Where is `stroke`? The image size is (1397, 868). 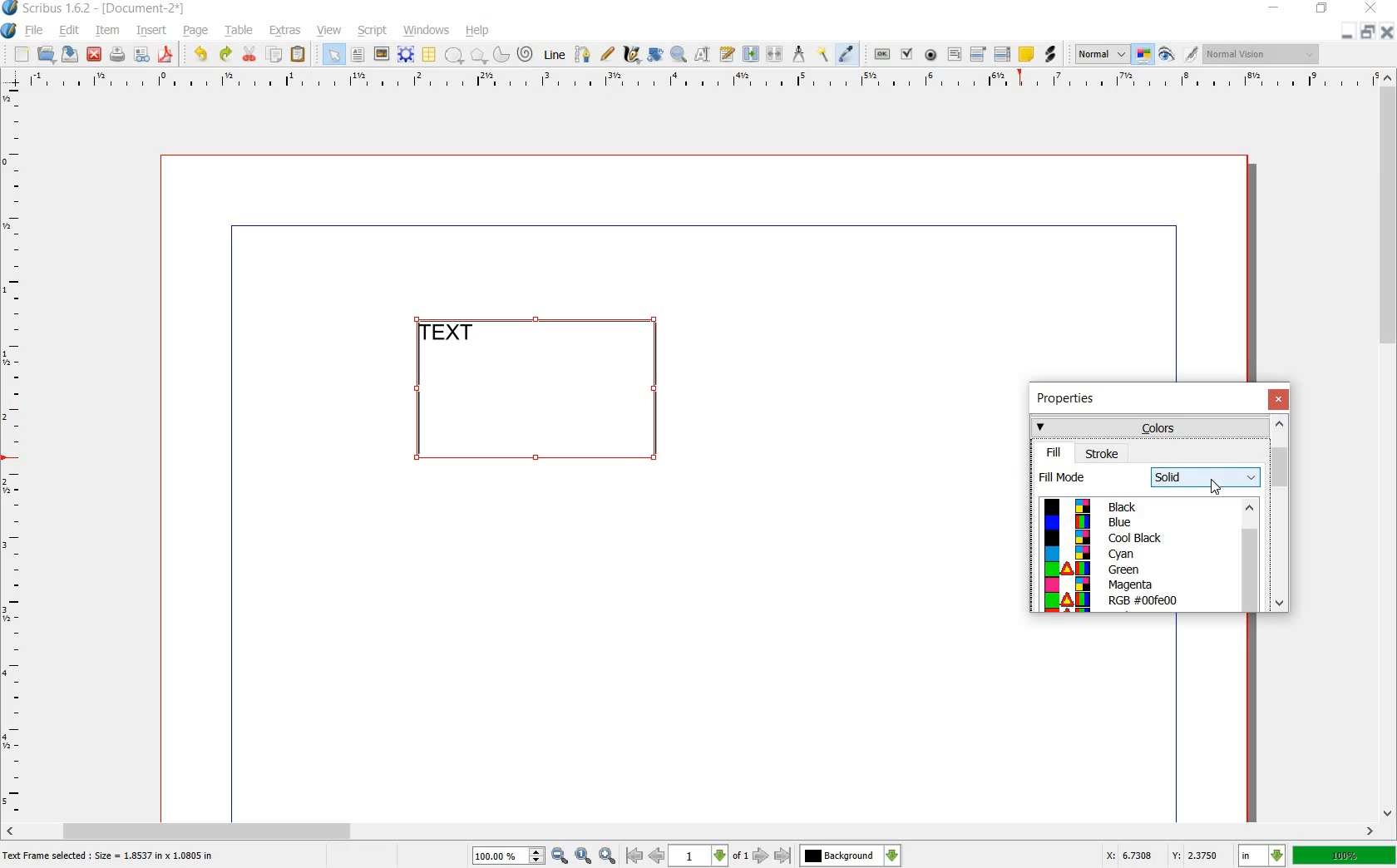 stroke is located at coordinates (1103, 453).